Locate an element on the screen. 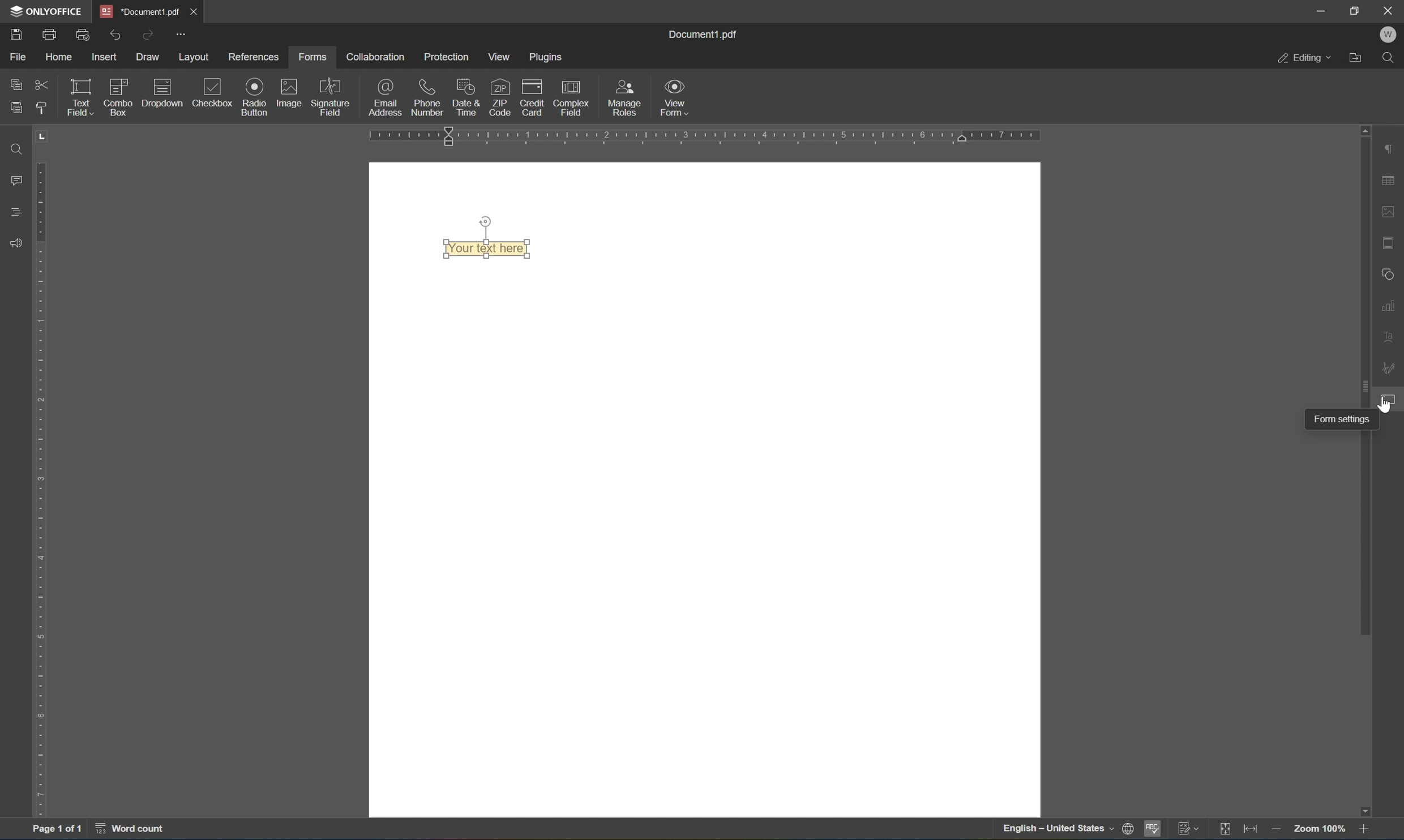 Image resolution: width=1404 pixels, height=840 pixels. W is located at coordinates (1390, 34).